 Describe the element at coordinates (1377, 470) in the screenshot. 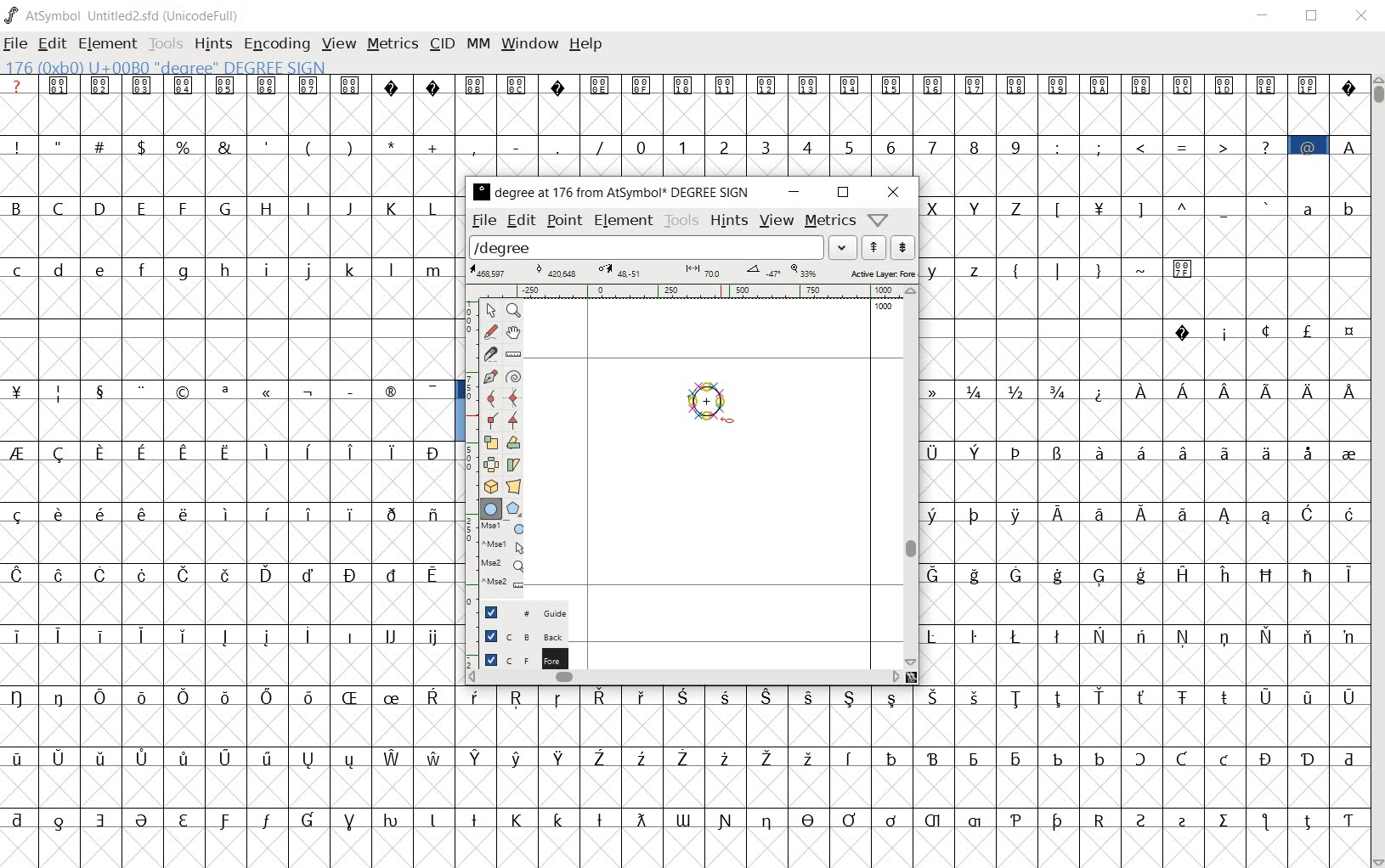

I see `scrollbar` at that location.